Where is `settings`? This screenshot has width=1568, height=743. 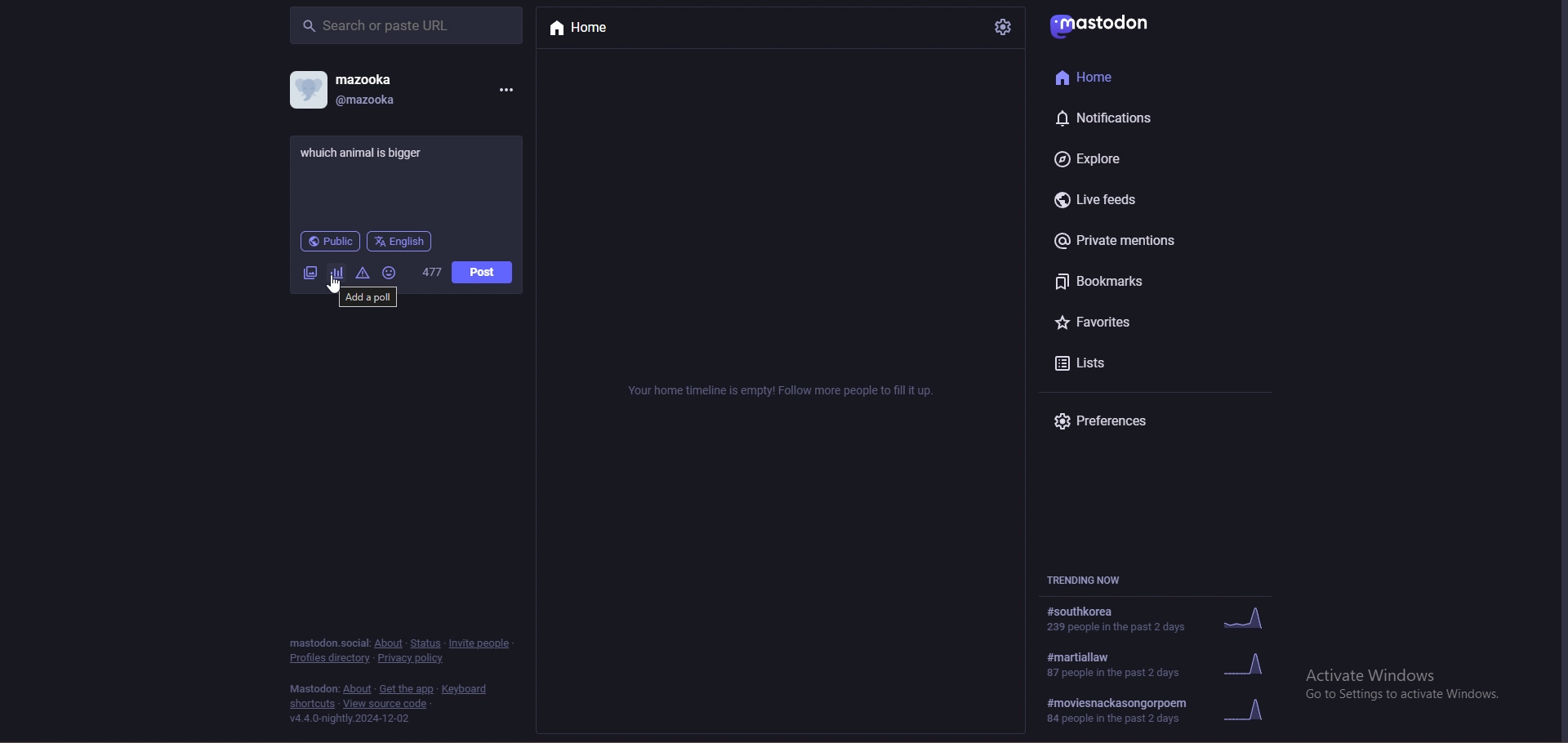 settings is located at coordinates (1001, 27).